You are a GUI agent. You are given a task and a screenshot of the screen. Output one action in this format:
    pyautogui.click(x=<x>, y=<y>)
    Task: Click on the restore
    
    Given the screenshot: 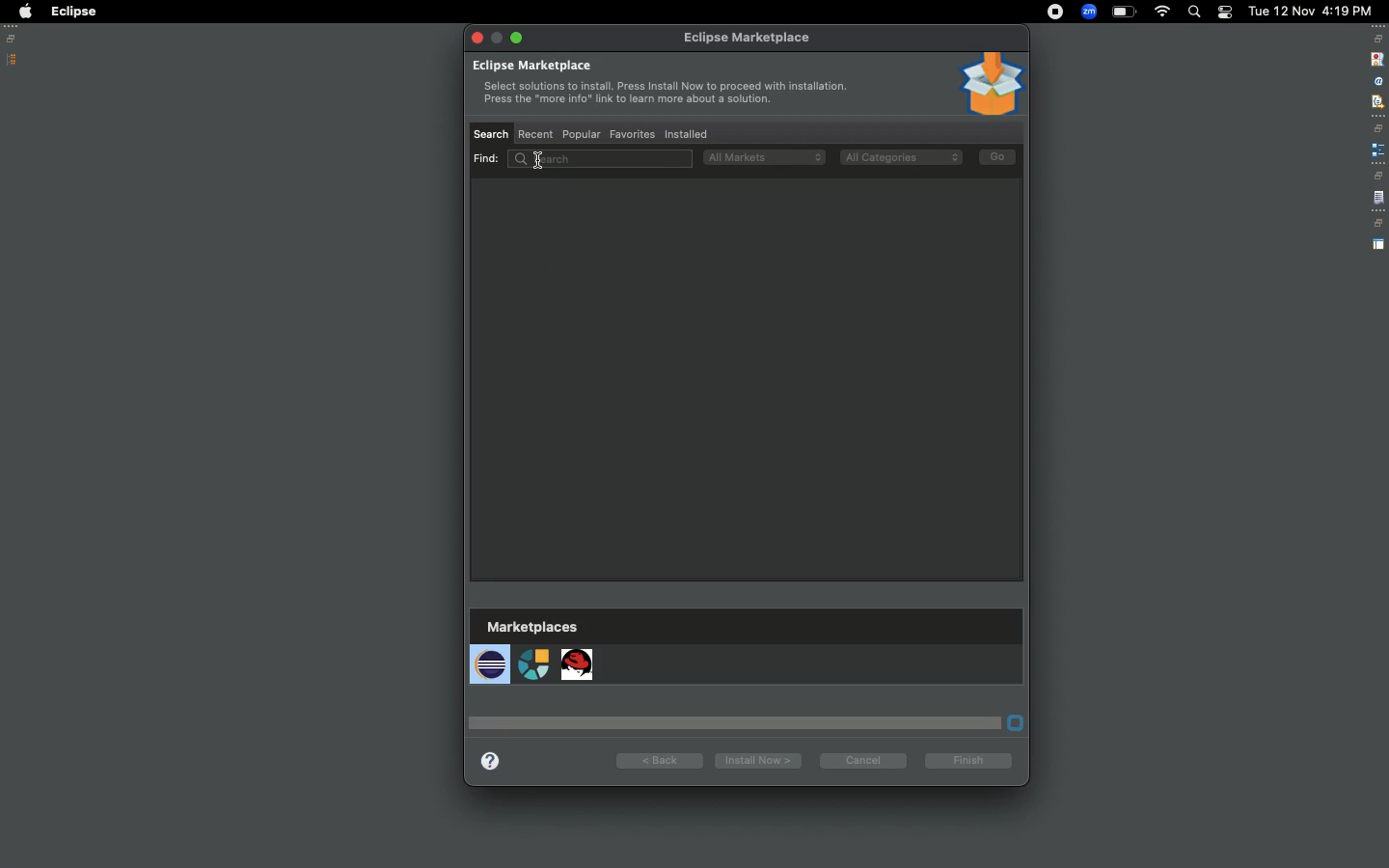 What is the action you would take?
    pyautogui.click(x=1379, y=128)
    